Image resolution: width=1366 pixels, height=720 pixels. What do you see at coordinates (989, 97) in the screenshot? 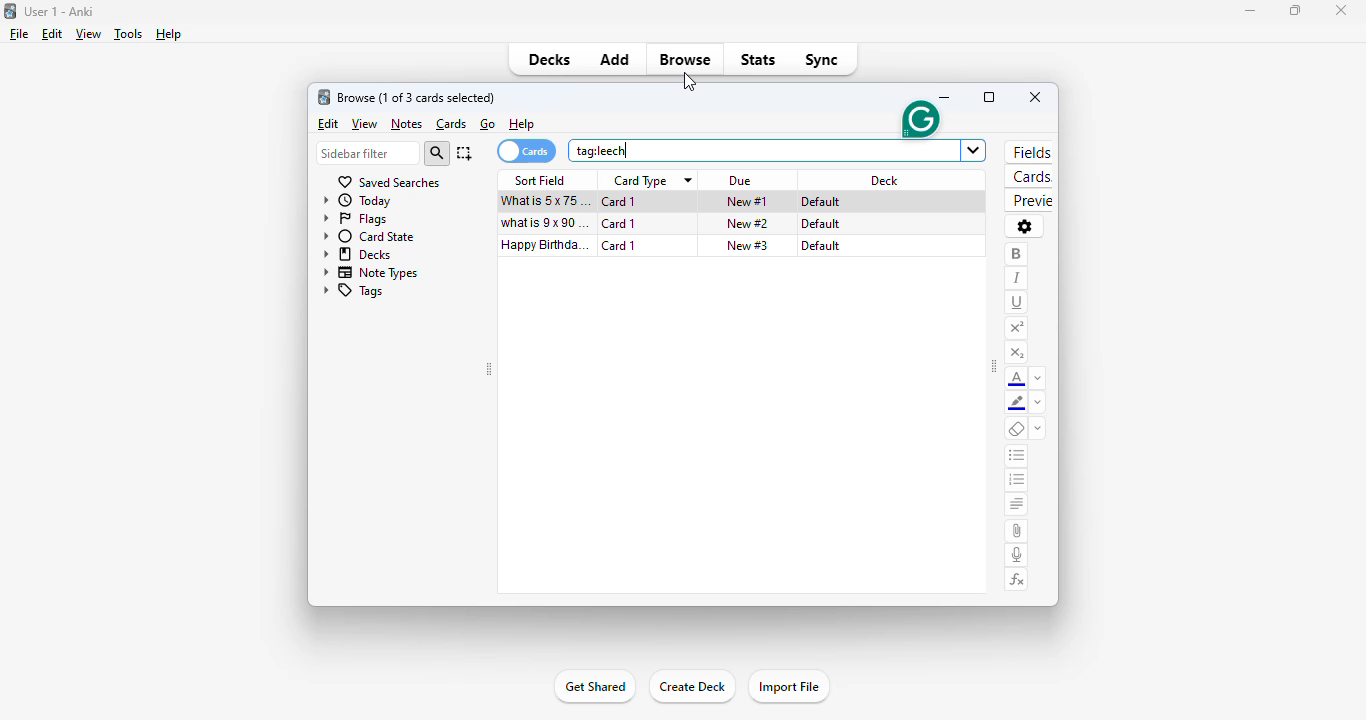
I see `maximize` at bounding box center [989, 97].